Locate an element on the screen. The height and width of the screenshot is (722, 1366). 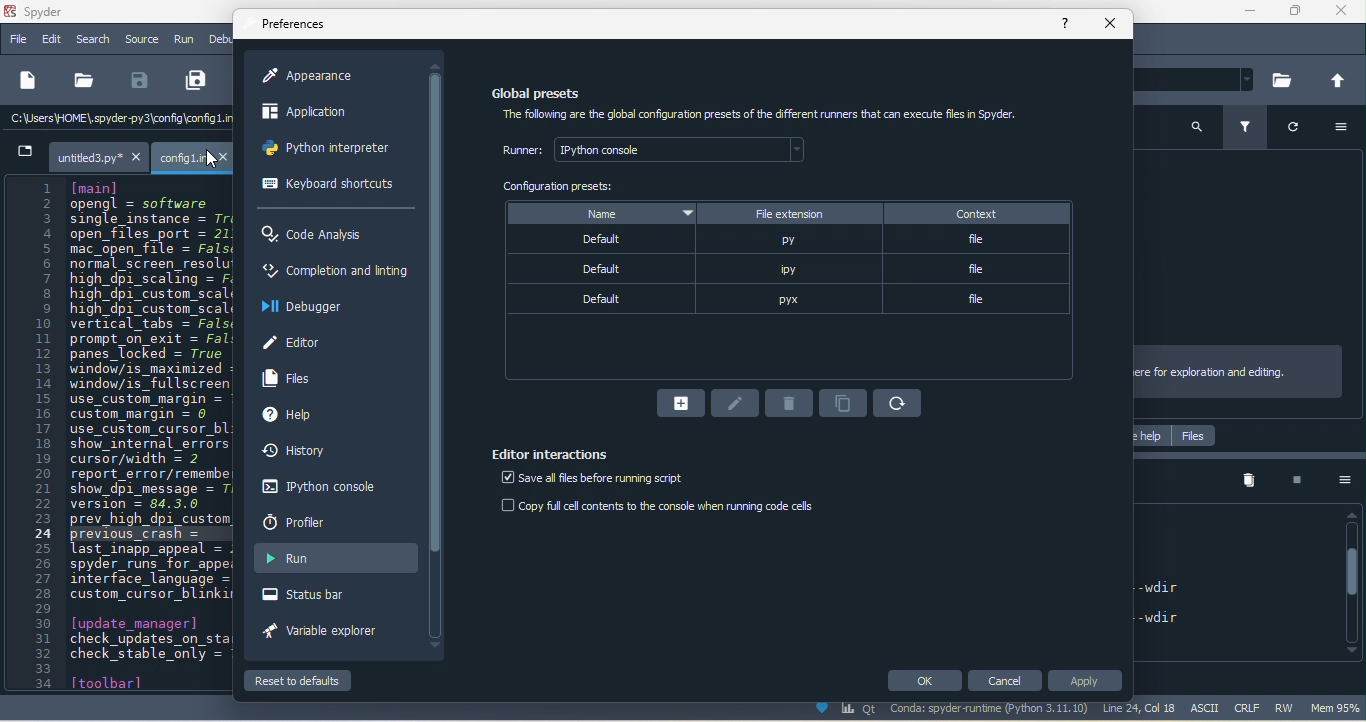
appearence is located at coordinates (318, 76).